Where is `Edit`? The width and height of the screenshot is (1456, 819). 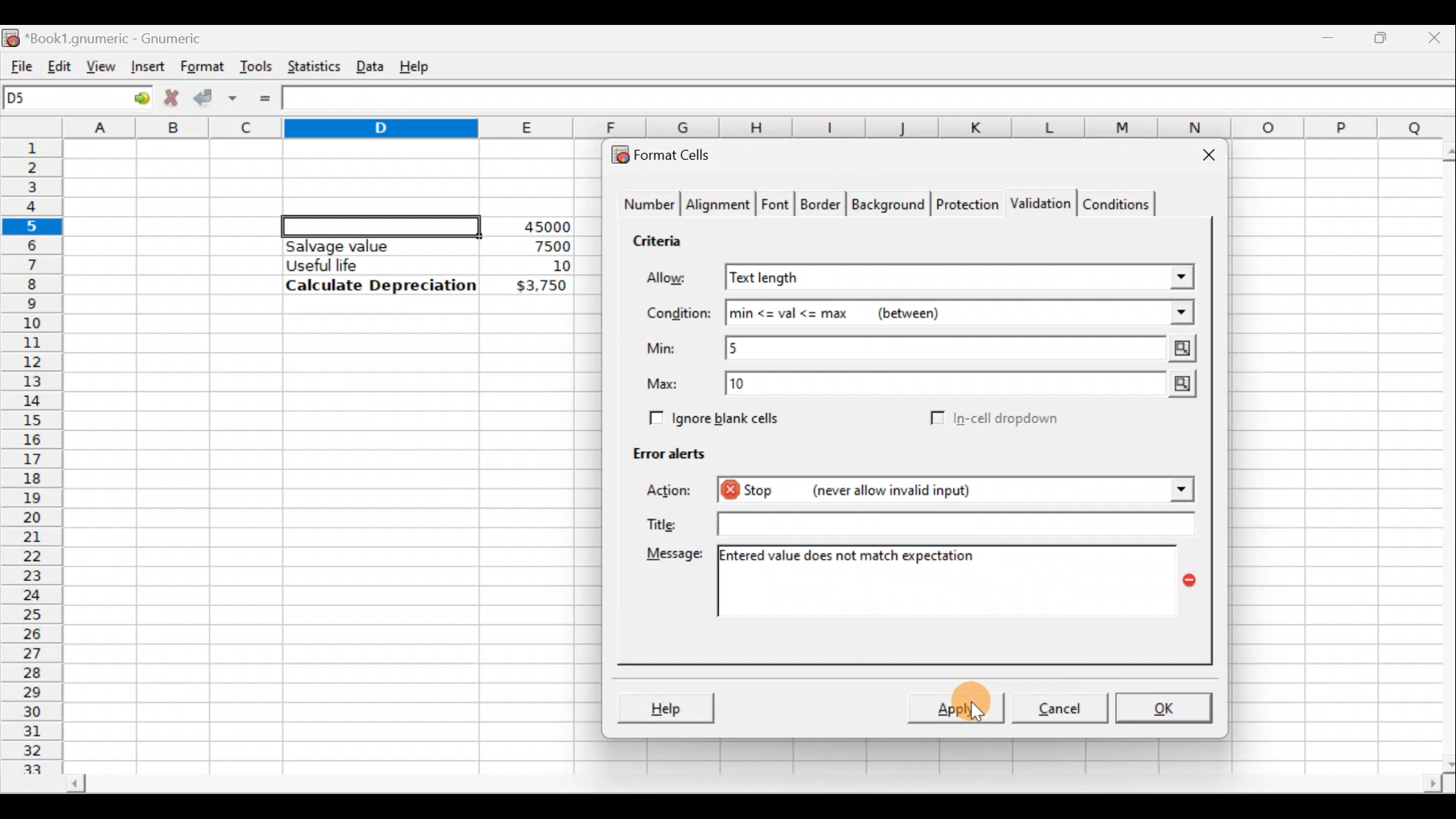 Edit is located at coordinates (59, 63).